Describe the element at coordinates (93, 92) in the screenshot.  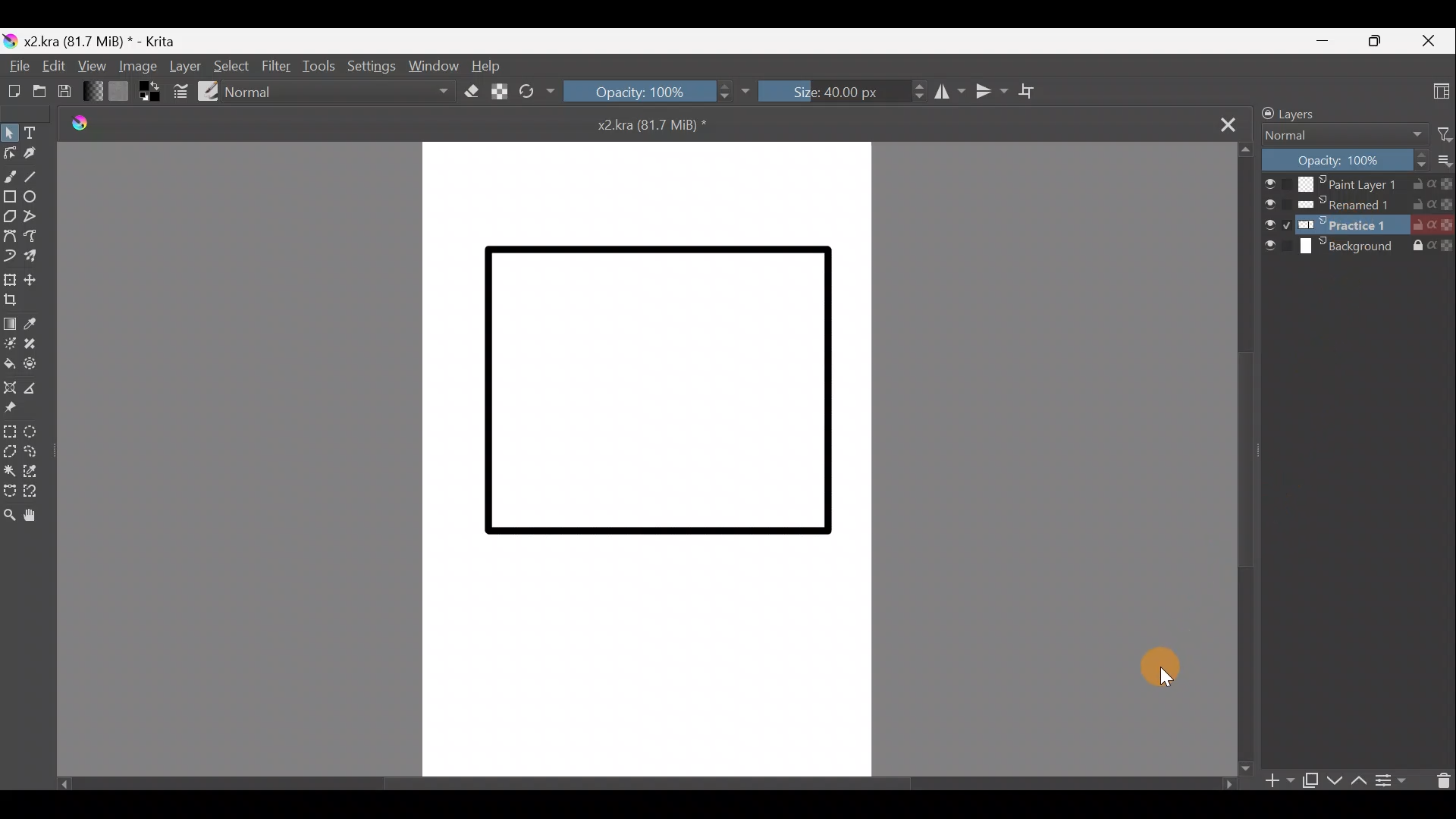
I see `Fill gradients` at that location.